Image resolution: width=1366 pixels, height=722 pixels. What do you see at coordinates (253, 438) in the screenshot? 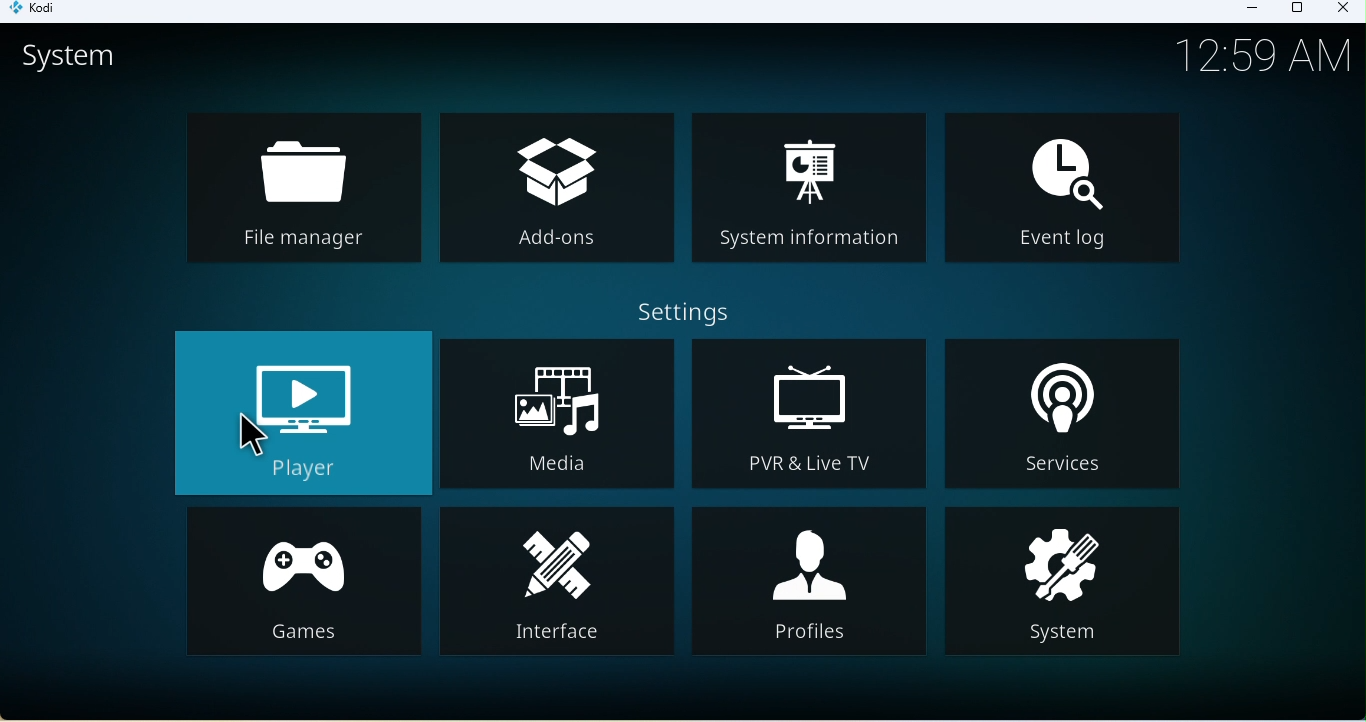
I see `Cursor` at bounding box center [253, 438].